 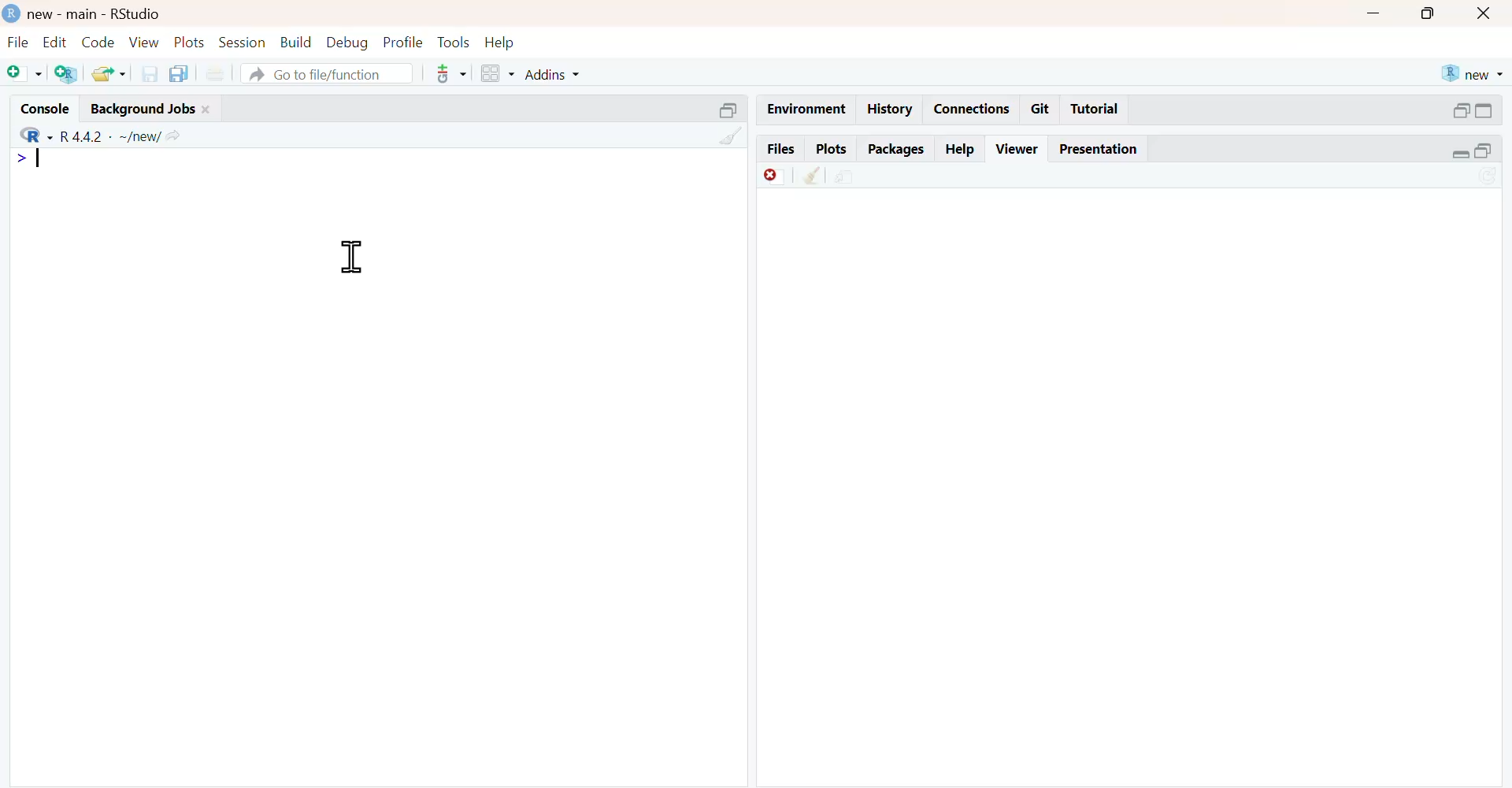 What do you see at coordinates (111, 137) in the screenshot?
I see `R 4.4.2 ~/new/` at bounding box center [111, 137].